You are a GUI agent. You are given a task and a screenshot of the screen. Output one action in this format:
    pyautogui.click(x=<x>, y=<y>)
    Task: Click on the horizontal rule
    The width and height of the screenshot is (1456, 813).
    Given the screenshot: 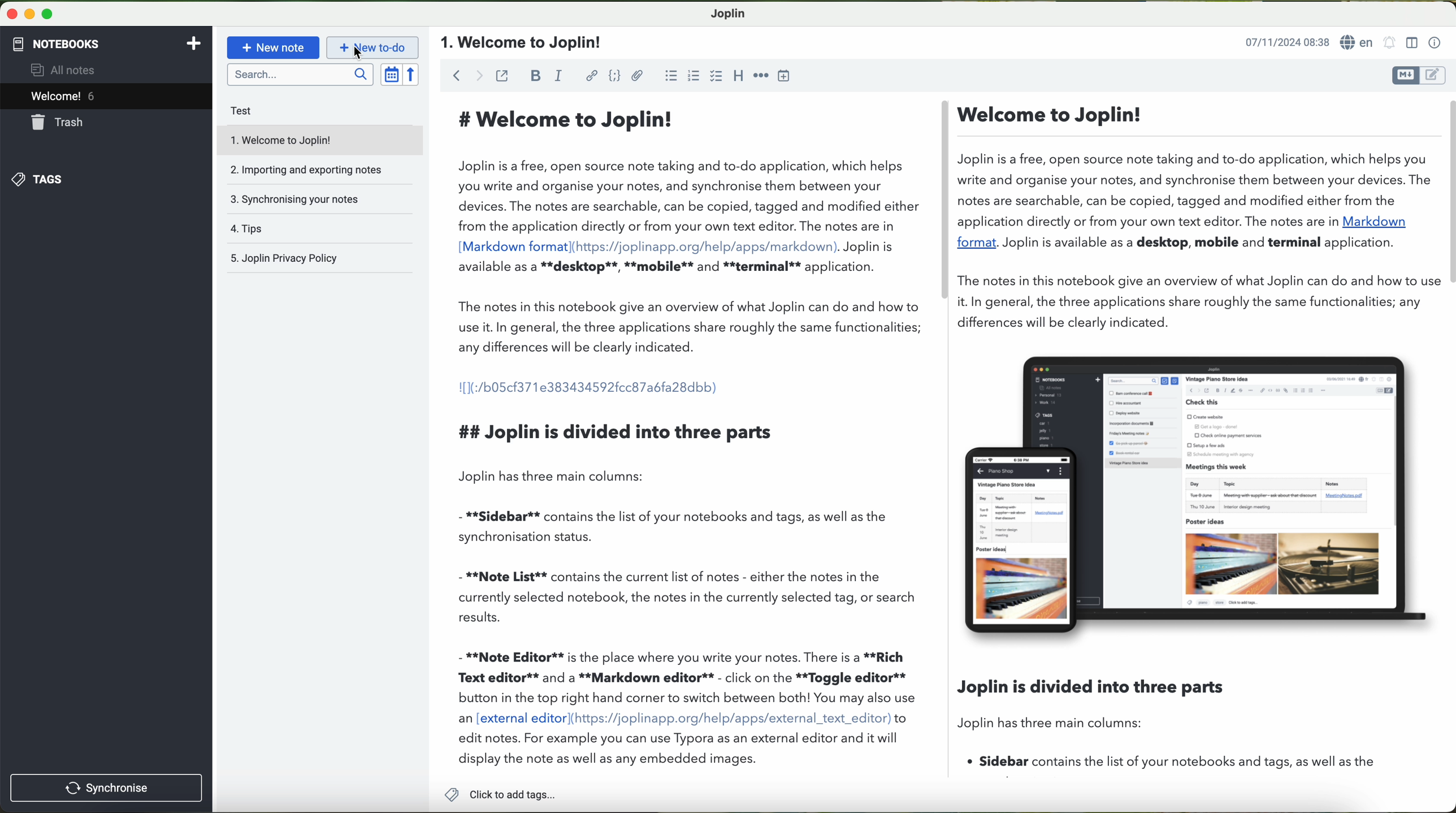 What is the action you would take?
    pyautogui.click(x=761, y=76)
    